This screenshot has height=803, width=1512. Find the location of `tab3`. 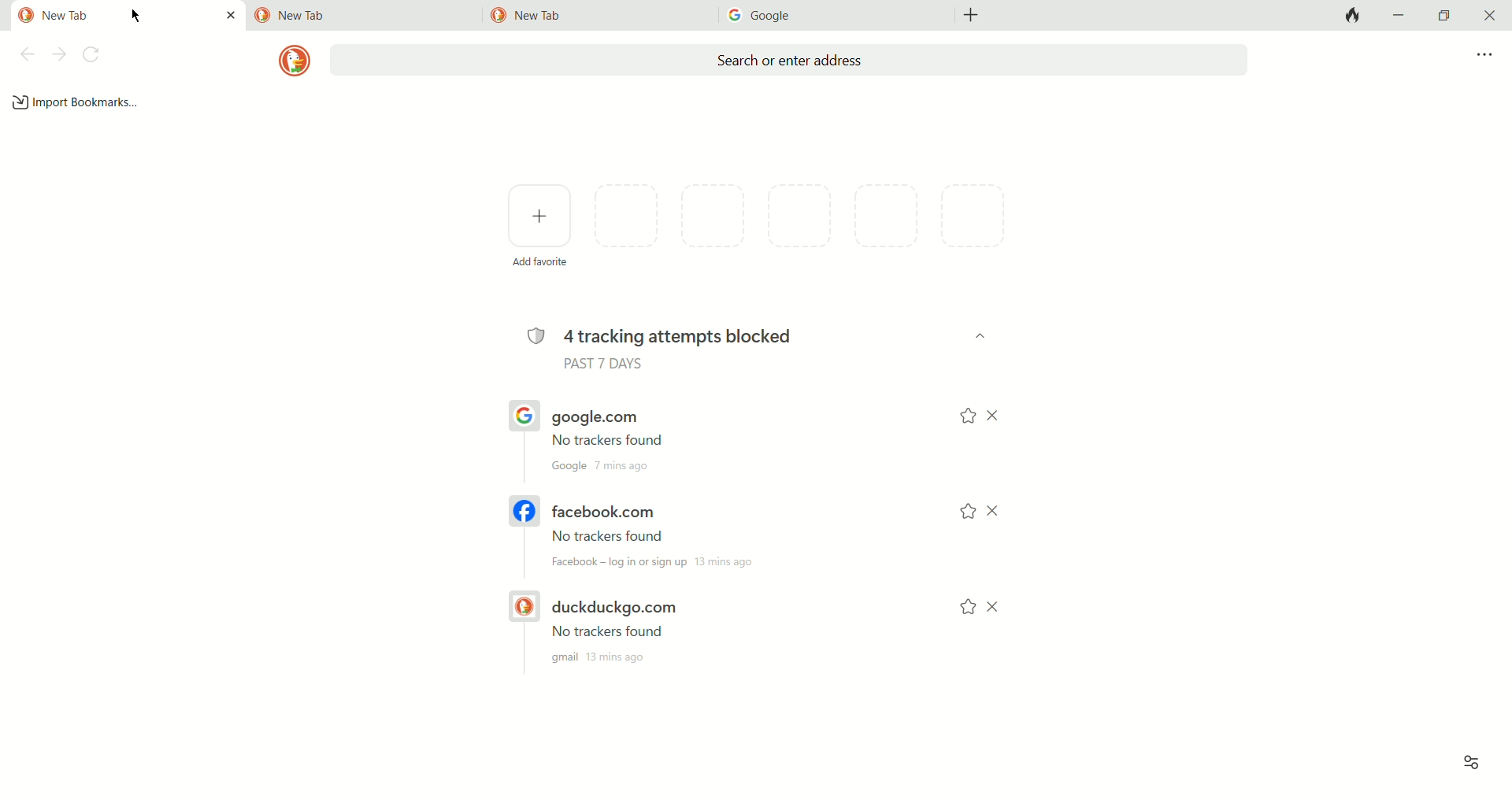

tab3 is located at coordinates (838, 17).